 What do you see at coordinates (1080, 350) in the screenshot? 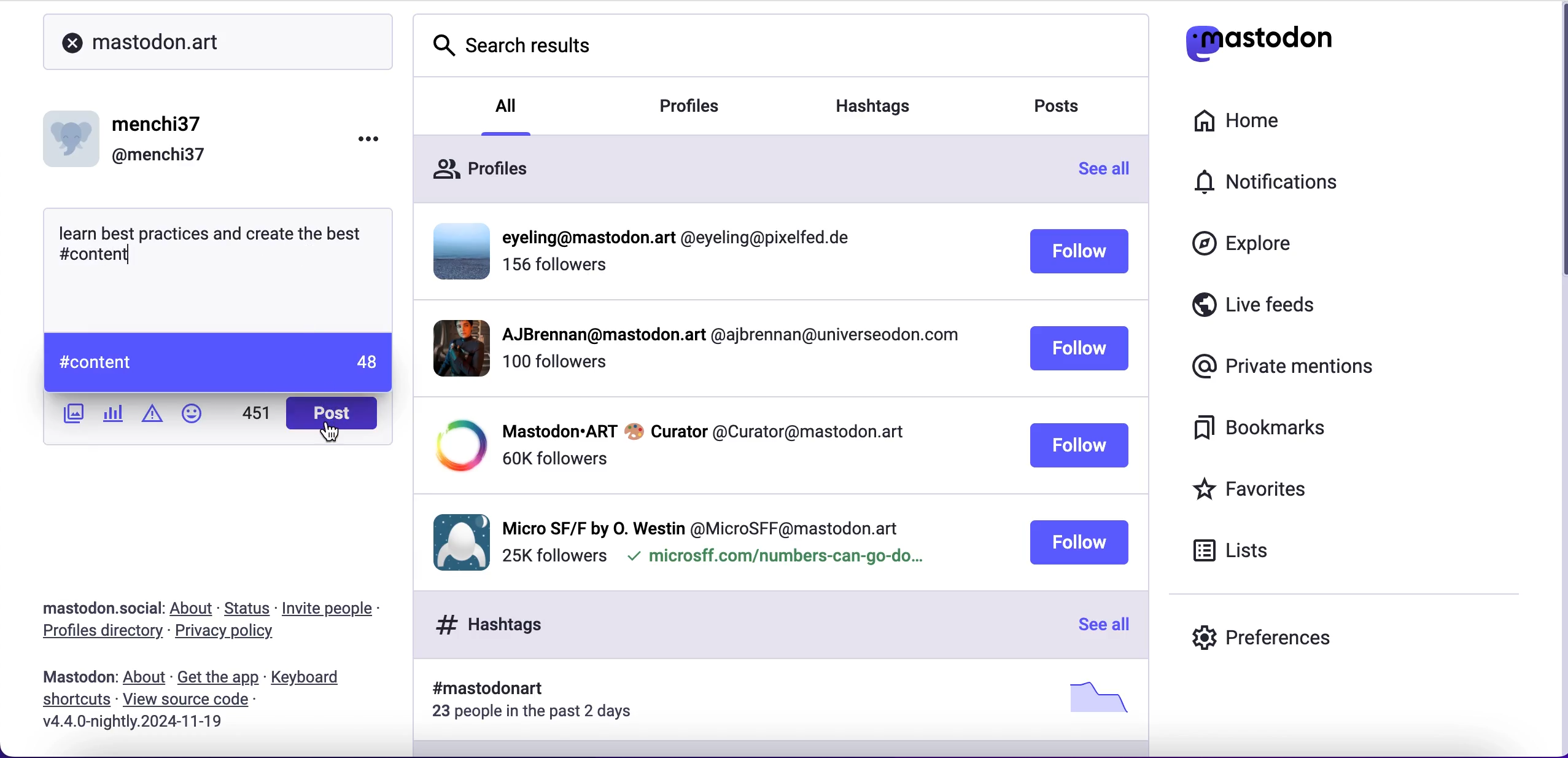
I see `follow` at bounding box center [1080, 350].